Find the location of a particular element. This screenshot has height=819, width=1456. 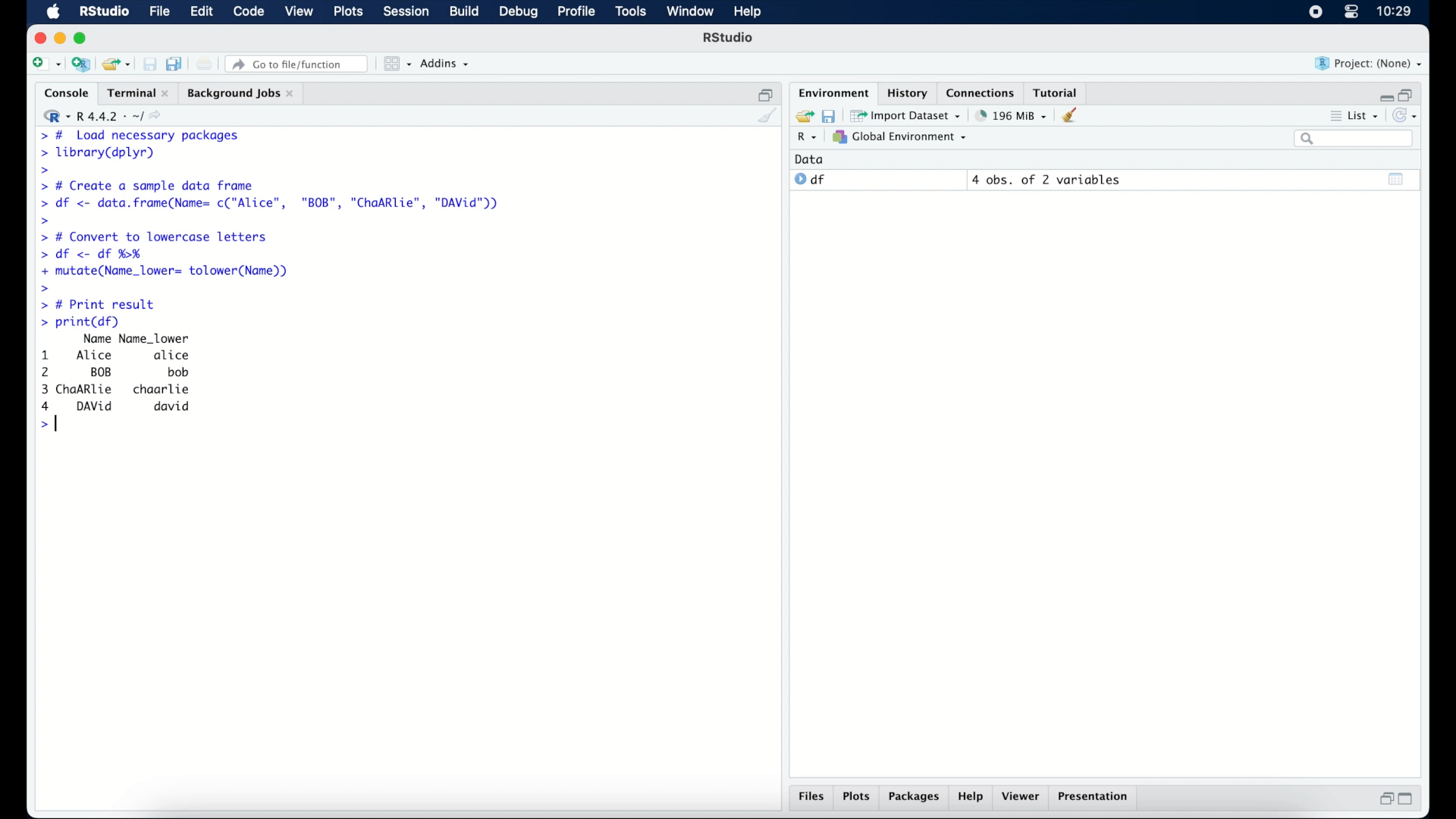

files is located at coordinates (811, 799).